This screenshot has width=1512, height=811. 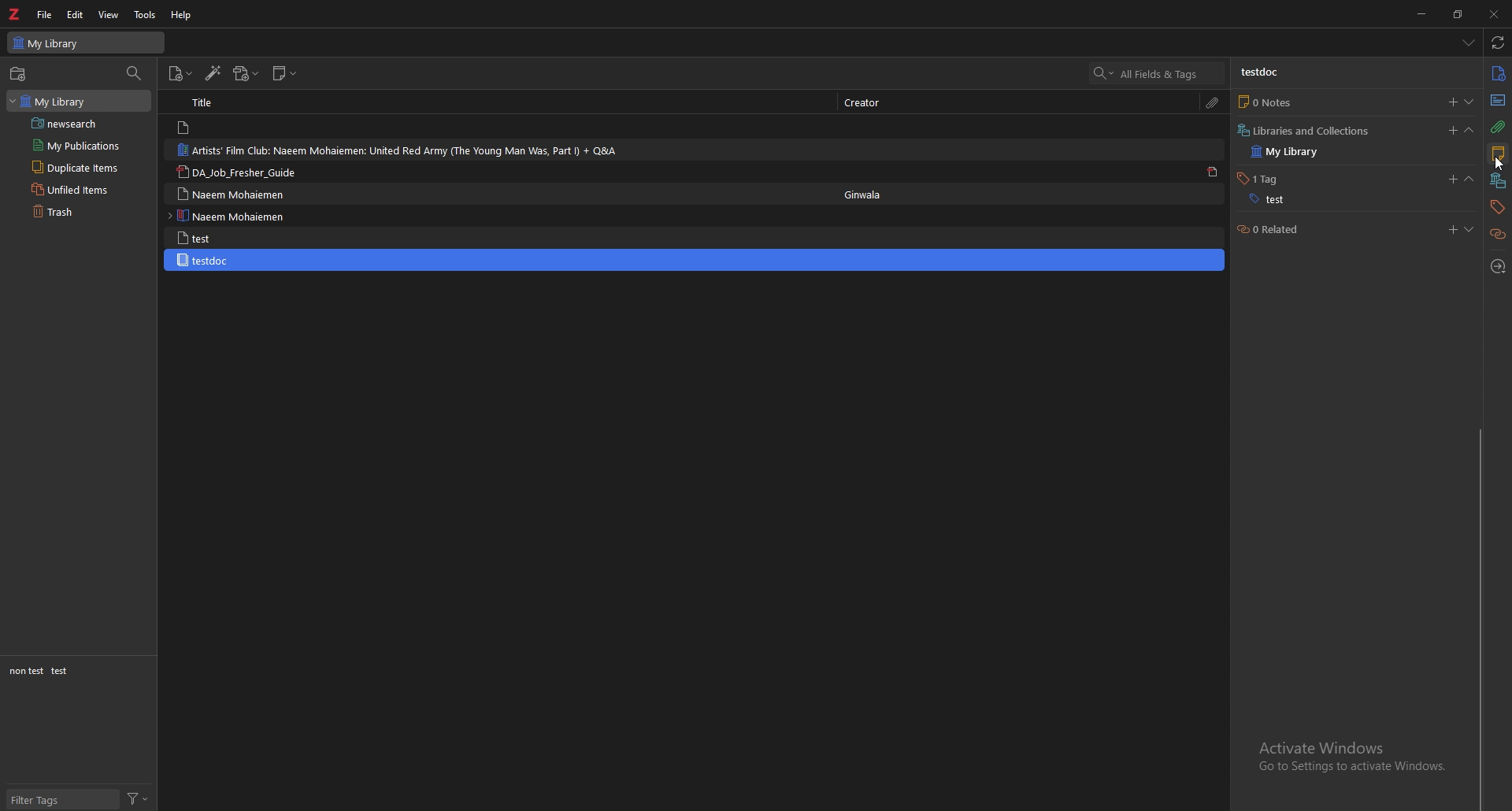 What do you see at coordinates (1497, 163) in the screenshot?
I see `cursor` at bounding box center [1497, 163].